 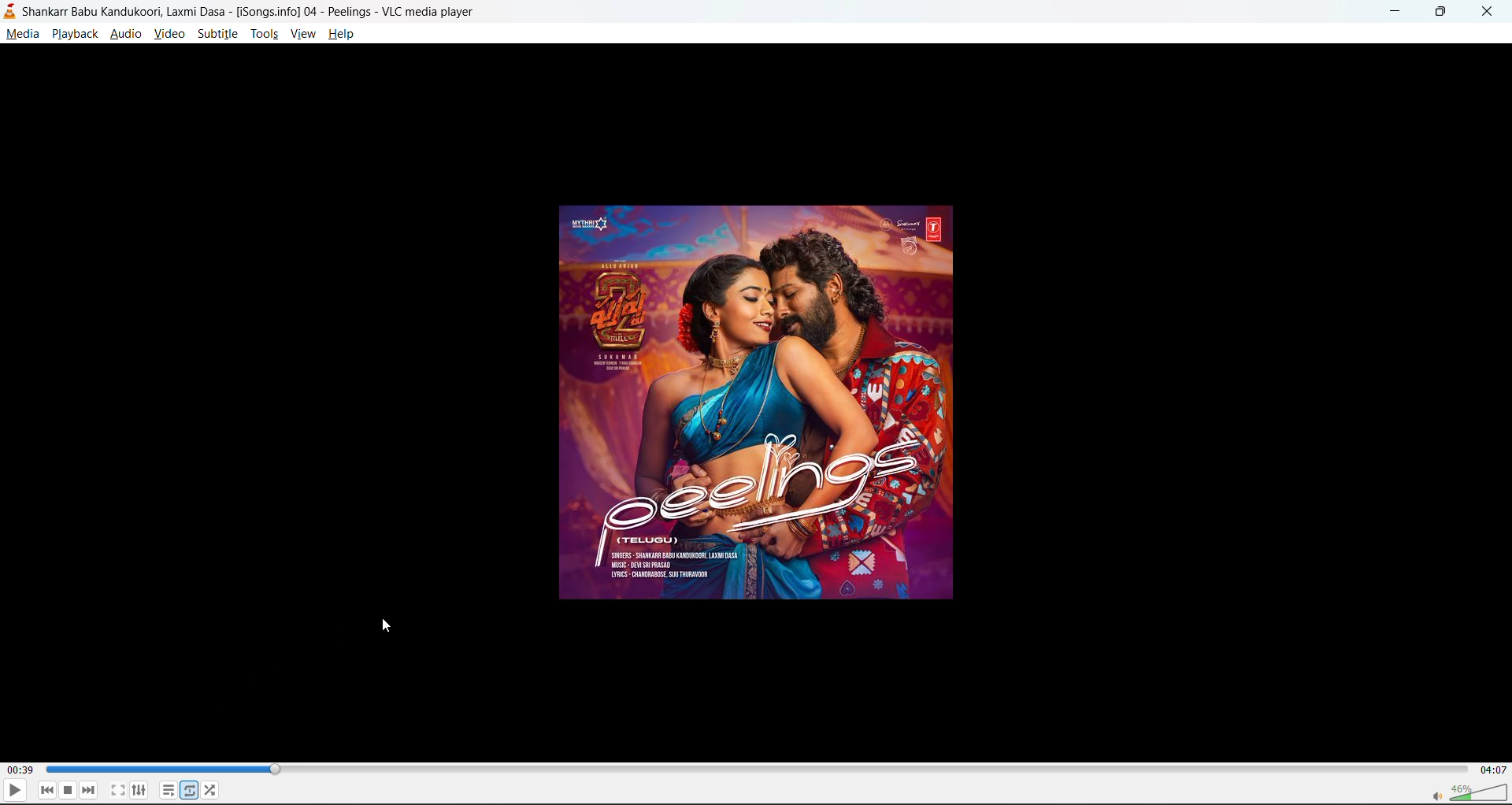 I want to click on close, so click(x=1484, y=12).